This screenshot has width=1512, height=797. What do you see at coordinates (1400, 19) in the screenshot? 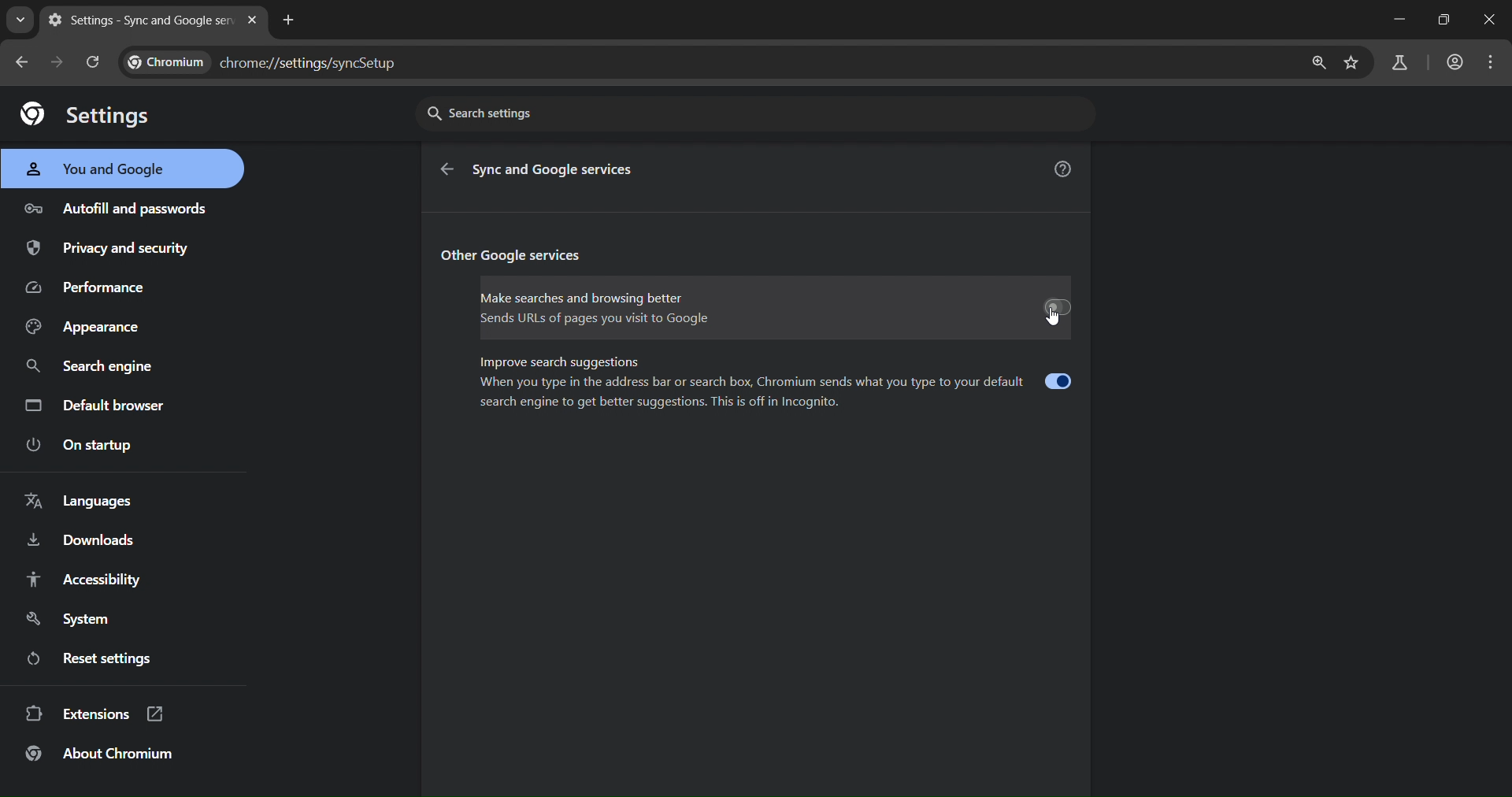
I see `minimize` at bounding box center [1400, 19].